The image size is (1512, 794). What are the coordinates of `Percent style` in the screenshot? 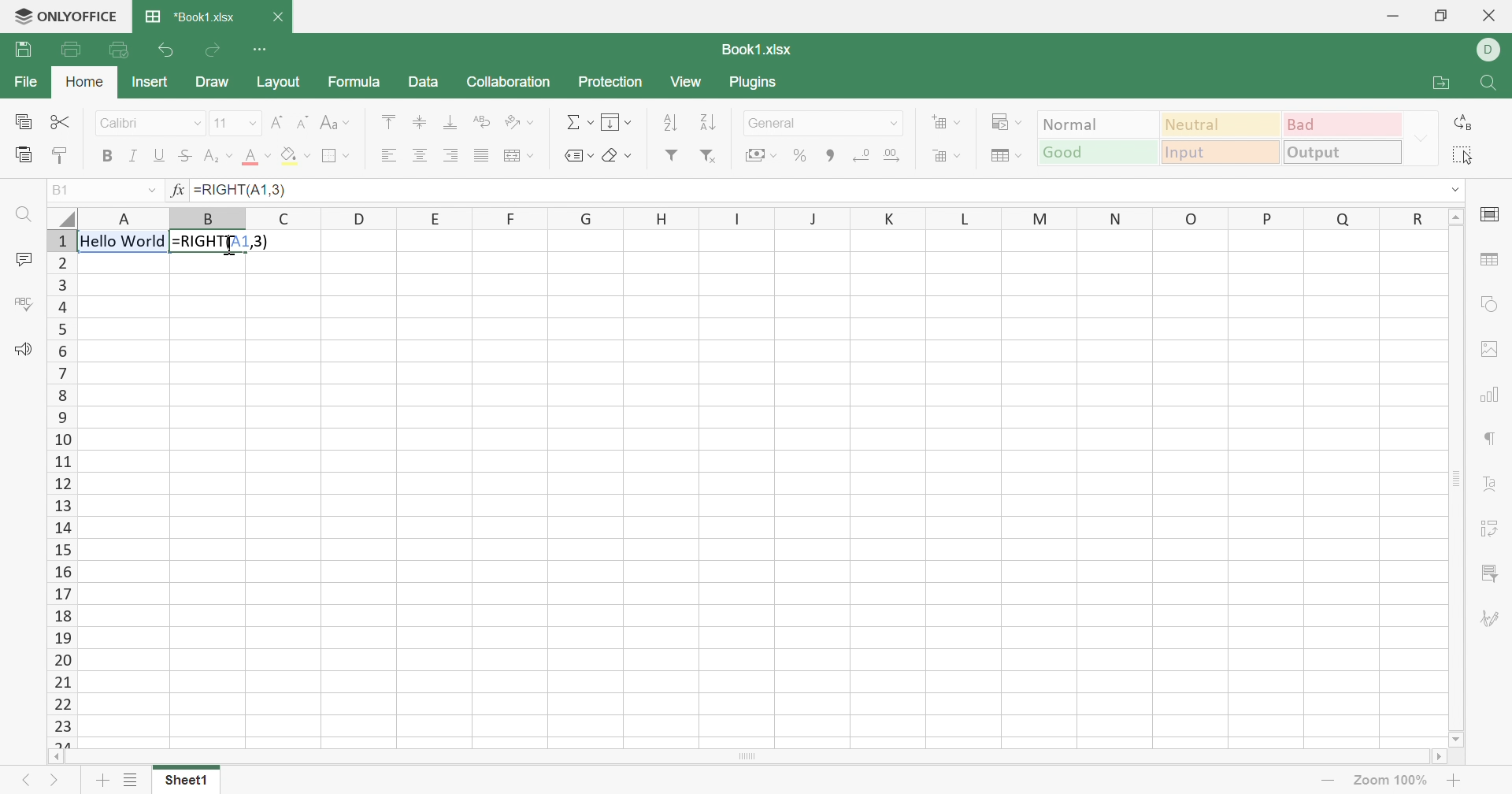 It's located at (801, 154).